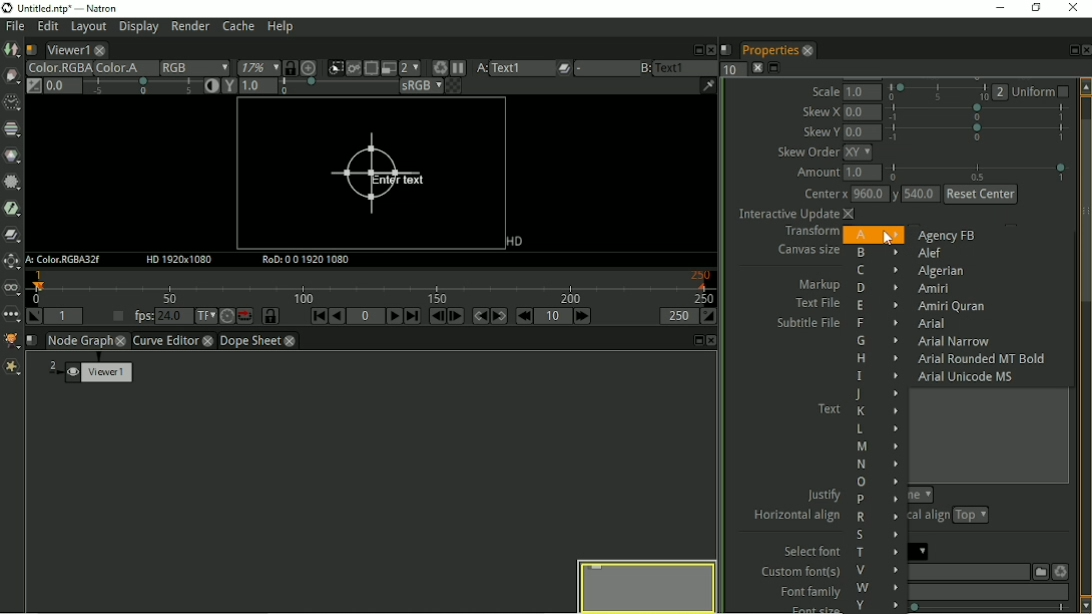  What do you see at coordinates (32, 340) in the screenshot?
I see `Script name` at bounding box center [32, 340].